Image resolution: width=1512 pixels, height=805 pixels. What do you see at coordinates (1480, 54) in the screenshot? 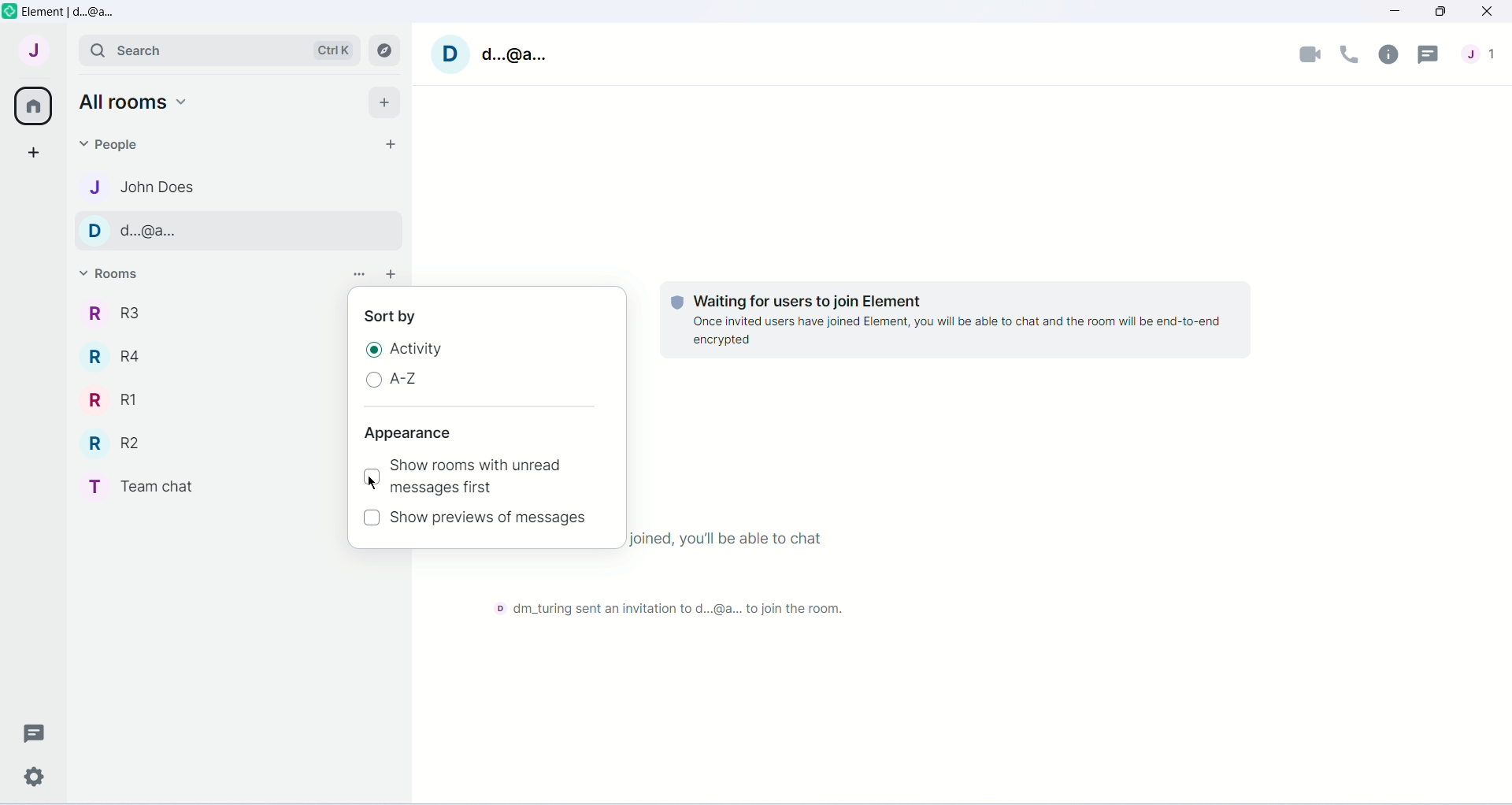
I see `People` at bounding box center [1480, 54].